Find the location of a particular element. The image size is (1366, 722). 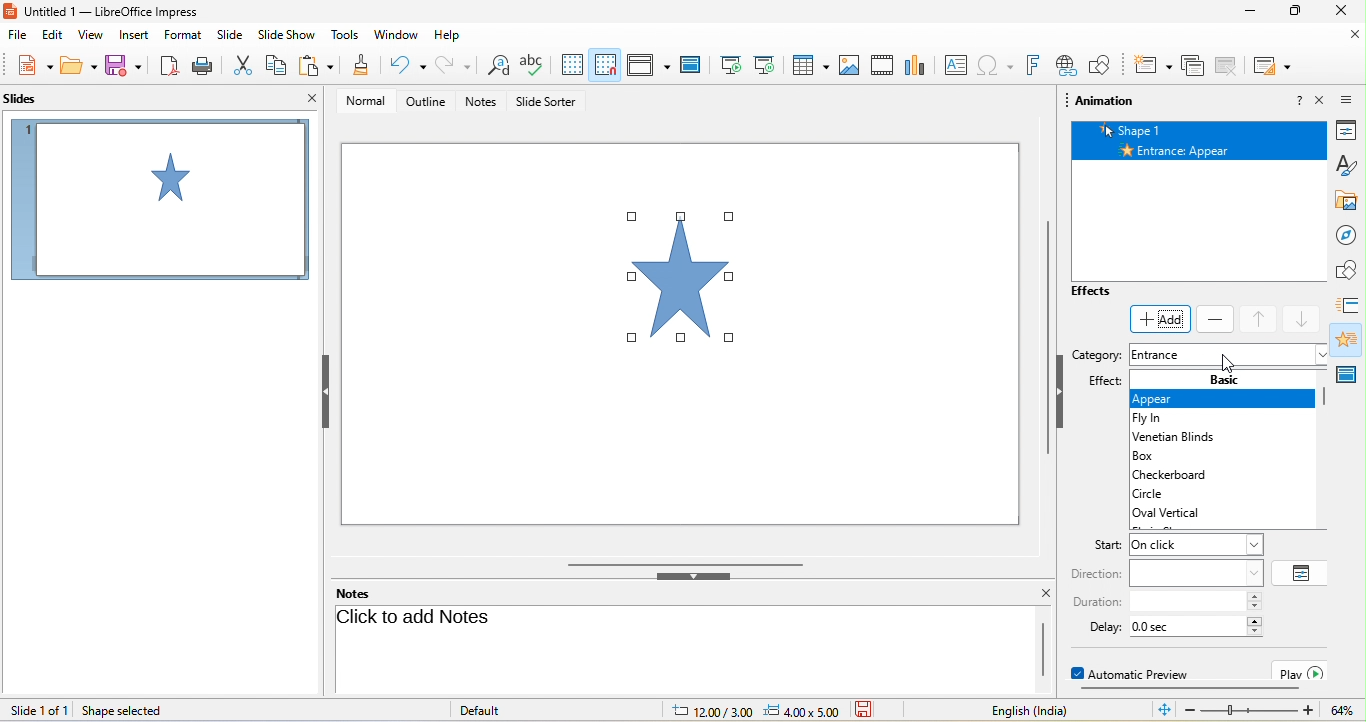

input duration is located at coordinates (1187, 602).